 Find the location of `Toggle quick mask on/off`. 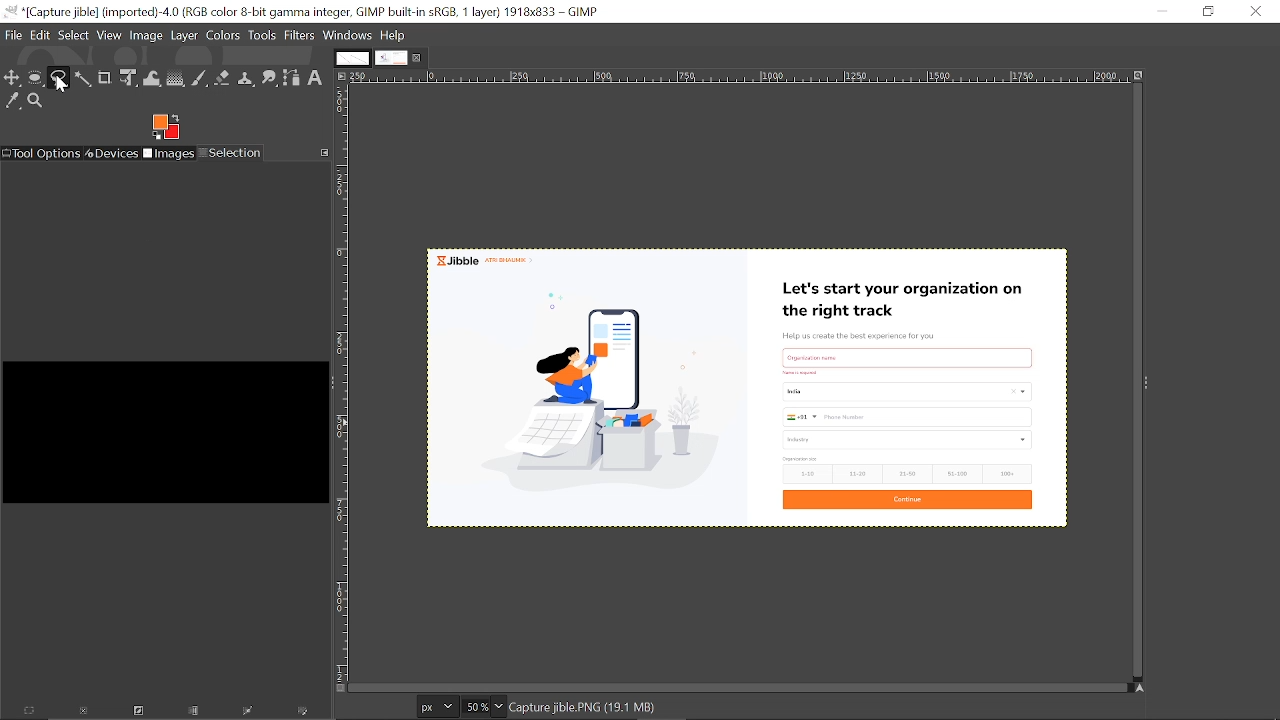

Toggle quick mask on/off is located at coordinates (339, 689).